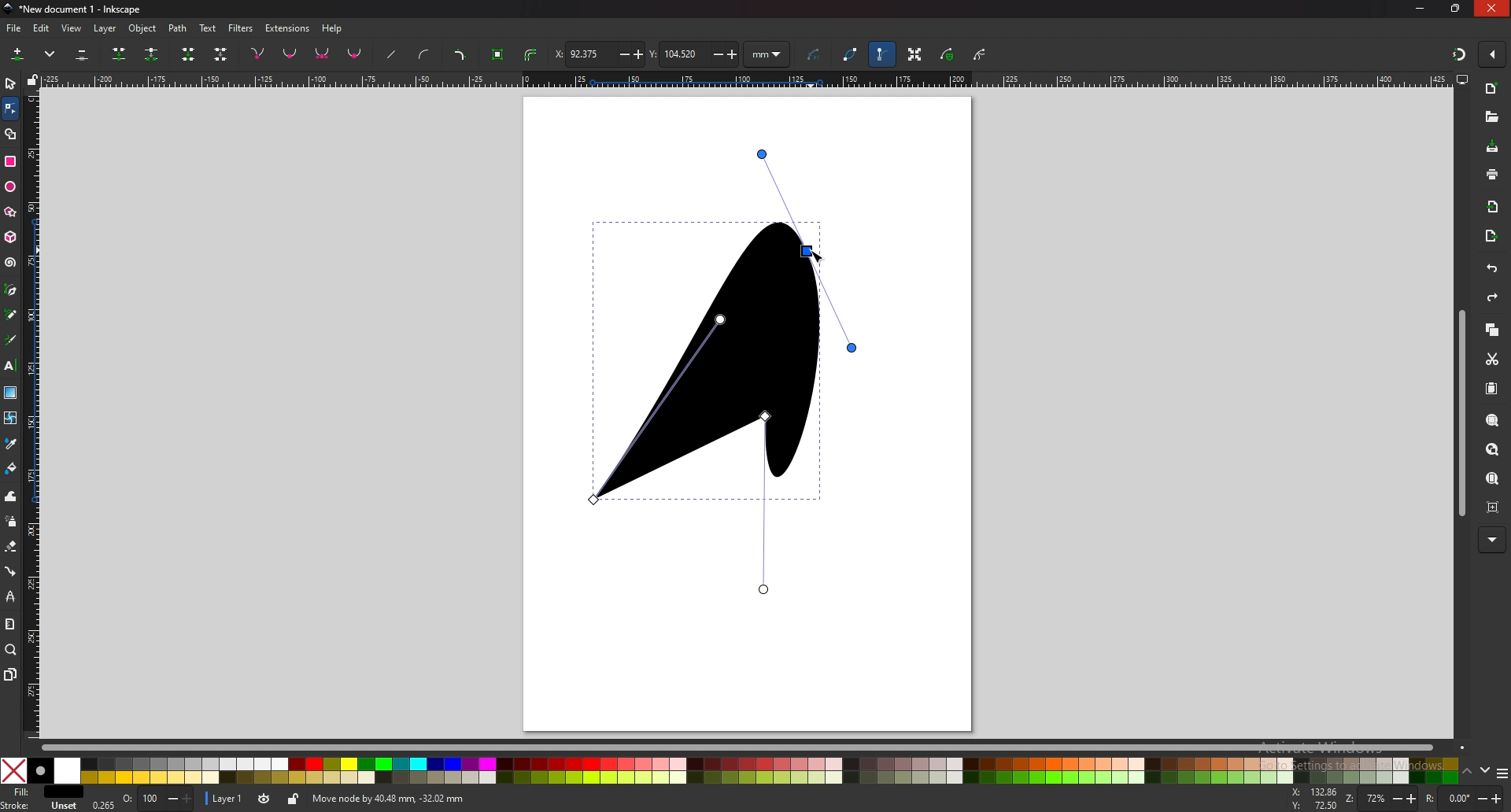  I want to click on connector, so click(10, 570).